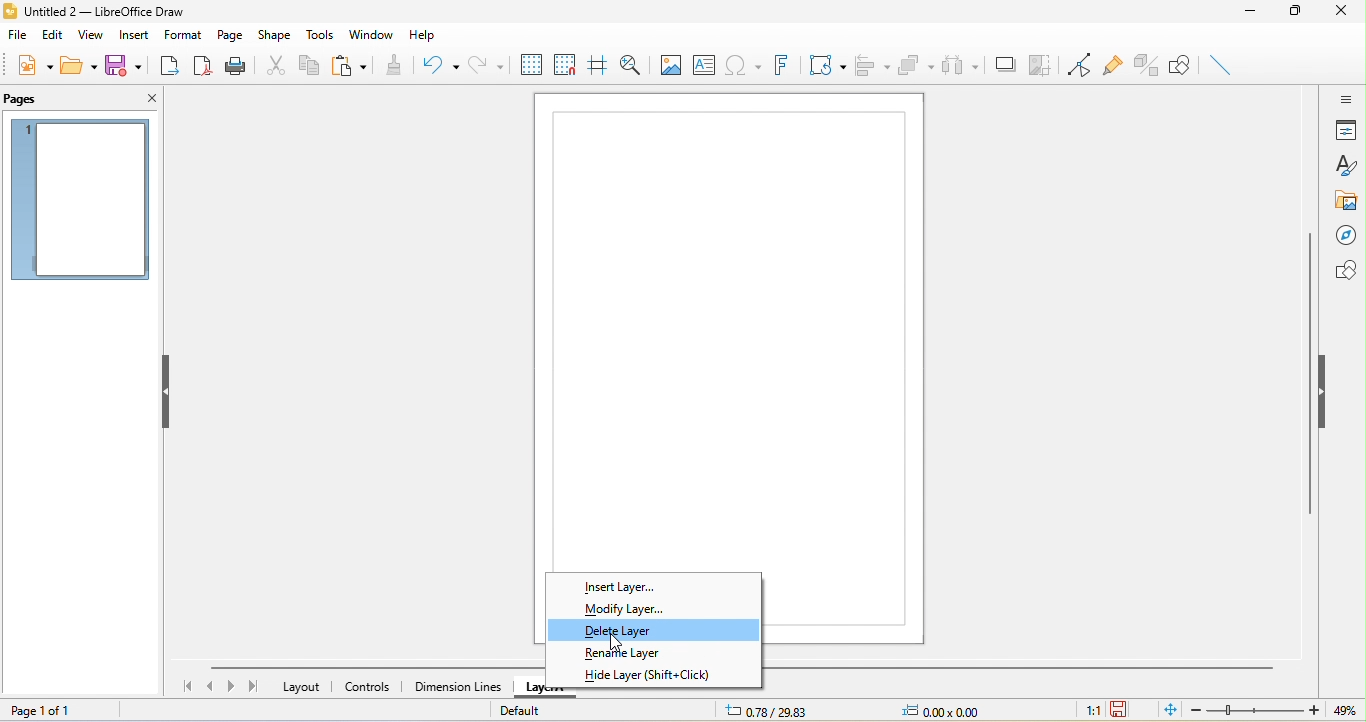 The image size is (1366, 722). I want to click on next page, so click(231, 686).